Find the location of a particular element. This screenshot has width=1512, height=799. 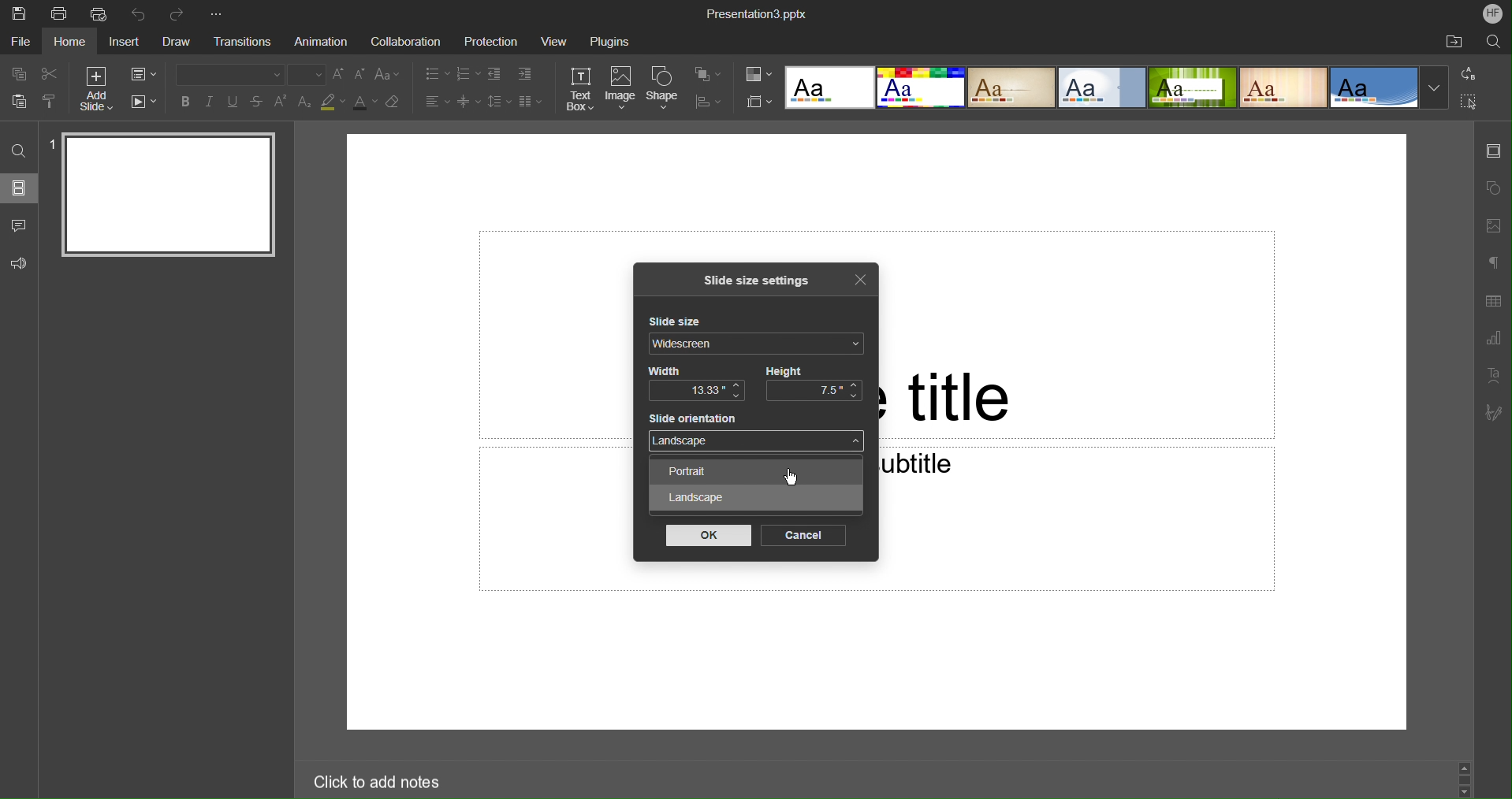

13.33" is located at coordinates (697, 392).